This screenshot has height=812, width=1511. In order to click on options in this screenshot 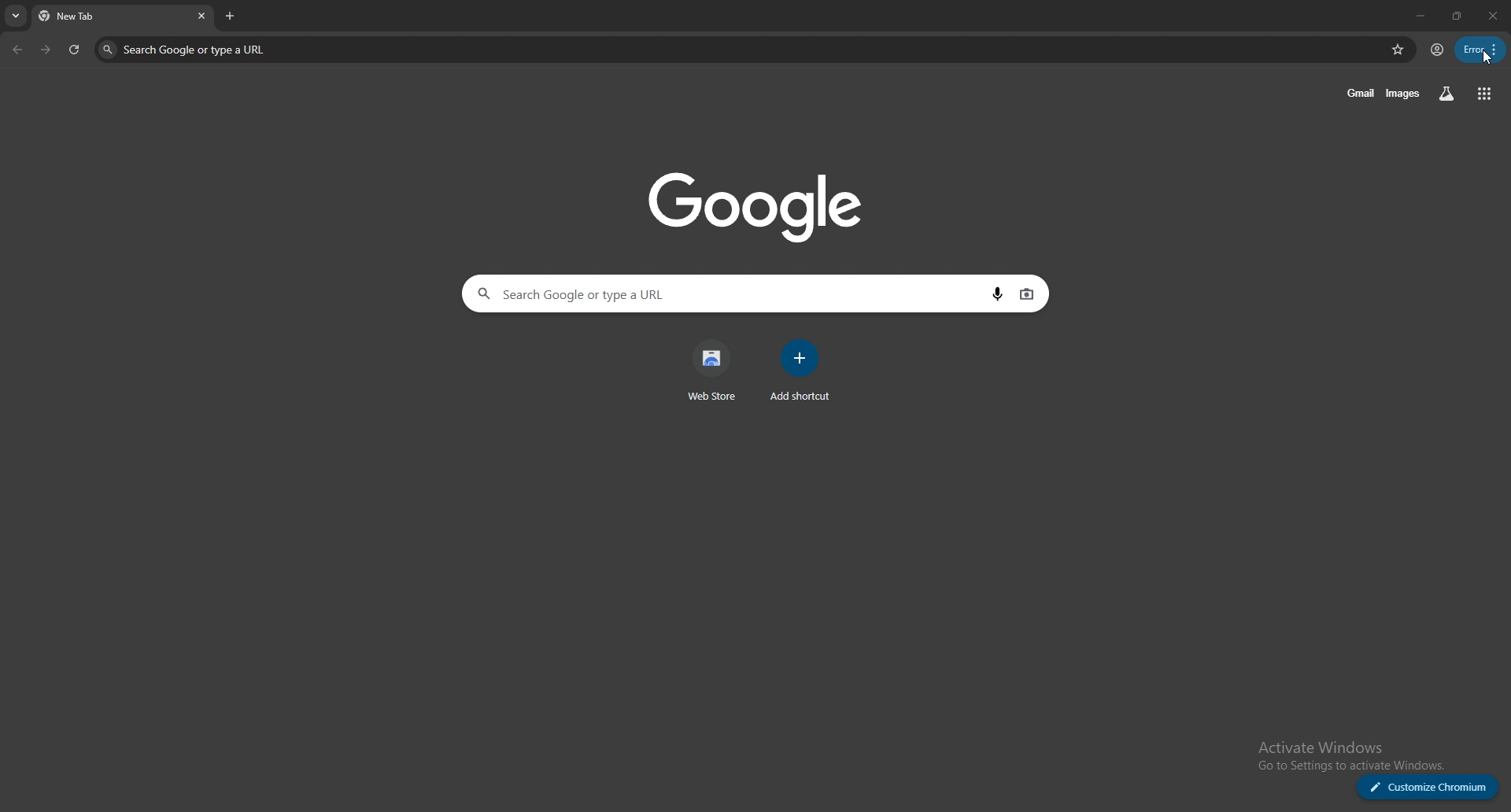, I will do `click(1480, 50)`.